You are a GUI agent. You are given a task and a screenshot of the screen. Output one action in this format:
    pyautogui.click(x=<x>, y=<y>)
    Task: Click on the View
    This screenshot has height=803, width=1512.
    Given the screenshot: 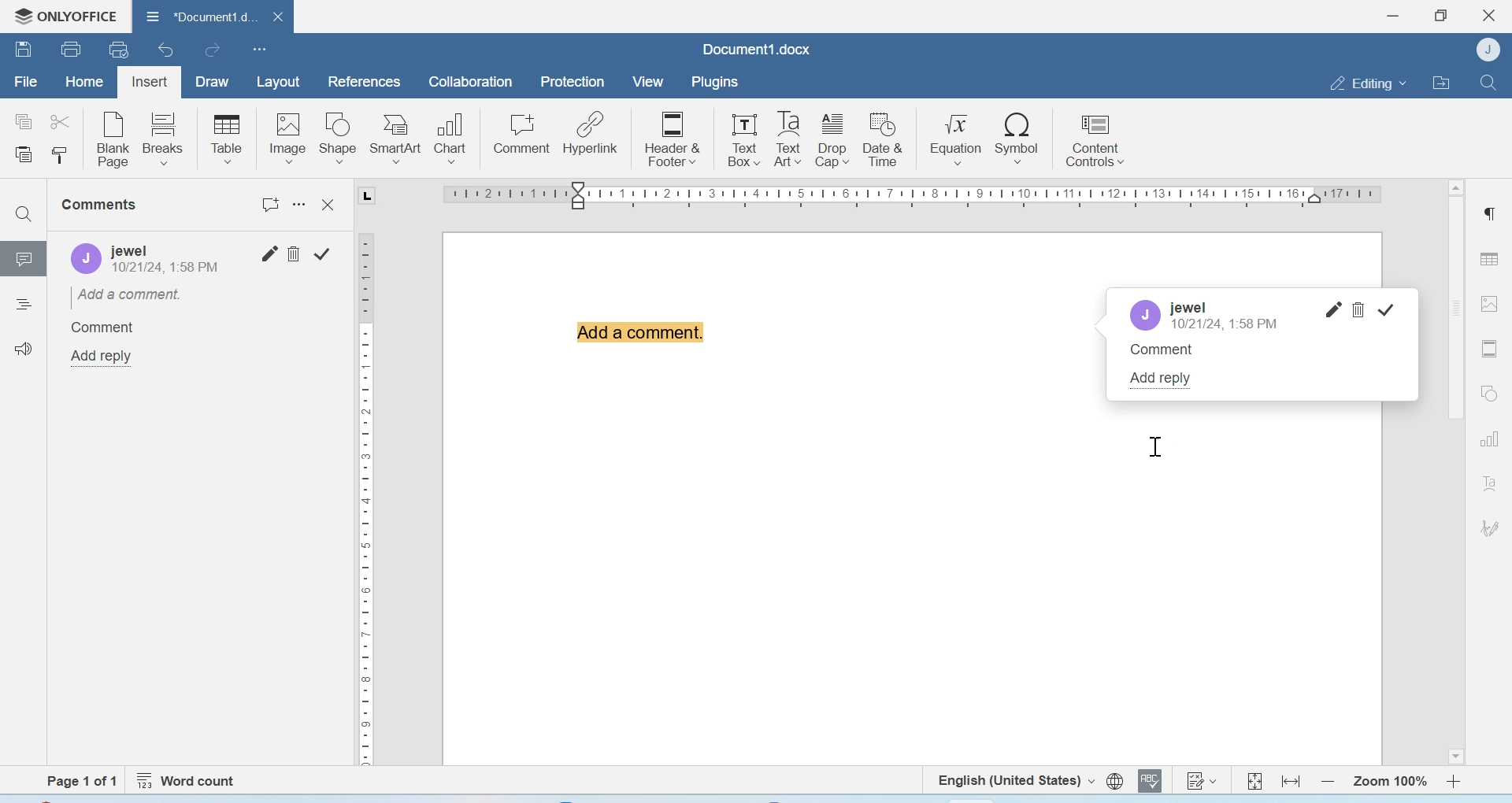 What is the action you would take?
    pyautogui.click(x=647, y=83)
    